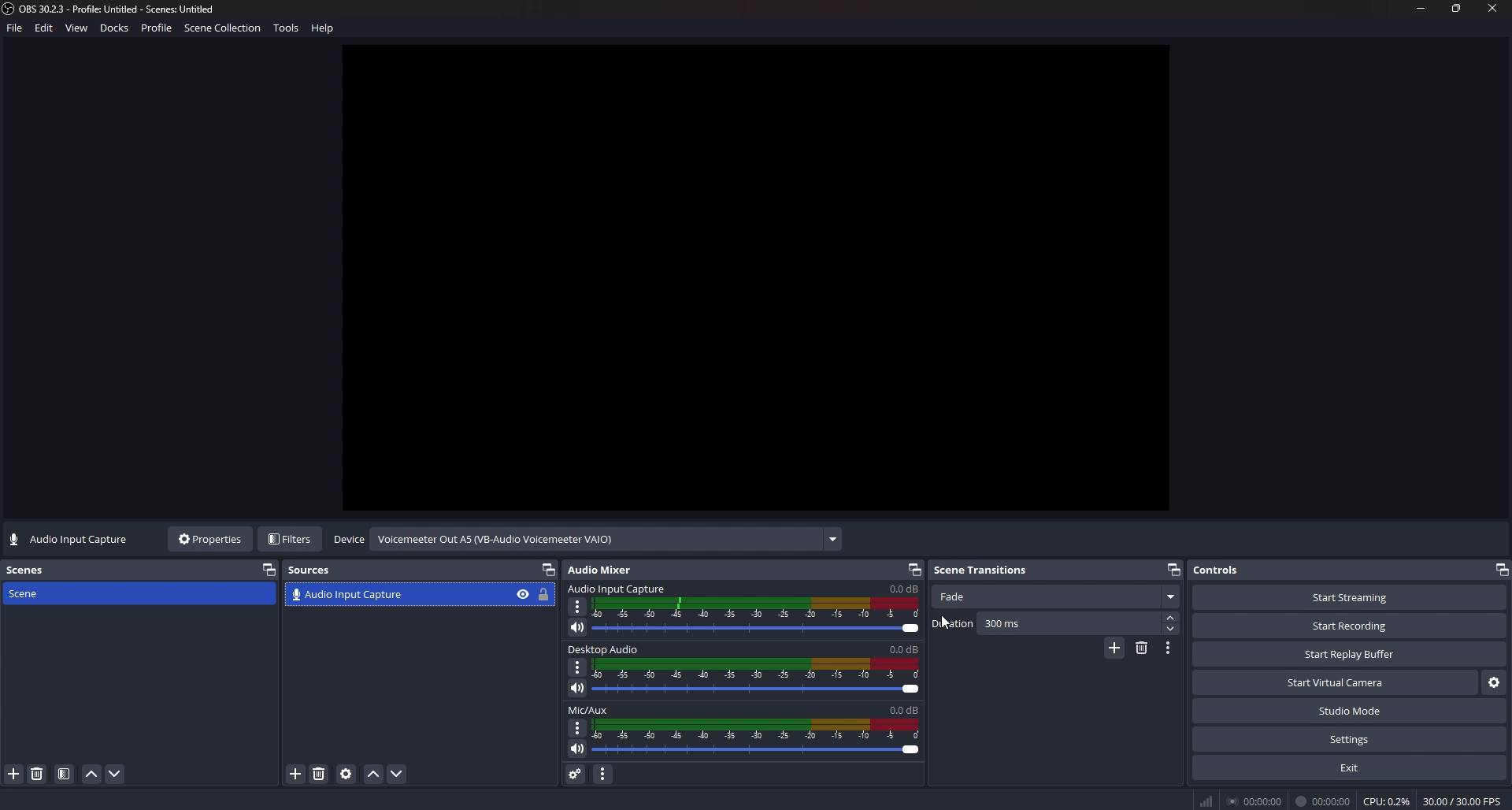  I want to click on 0 CPU: 0.69, so click(1384, 798).